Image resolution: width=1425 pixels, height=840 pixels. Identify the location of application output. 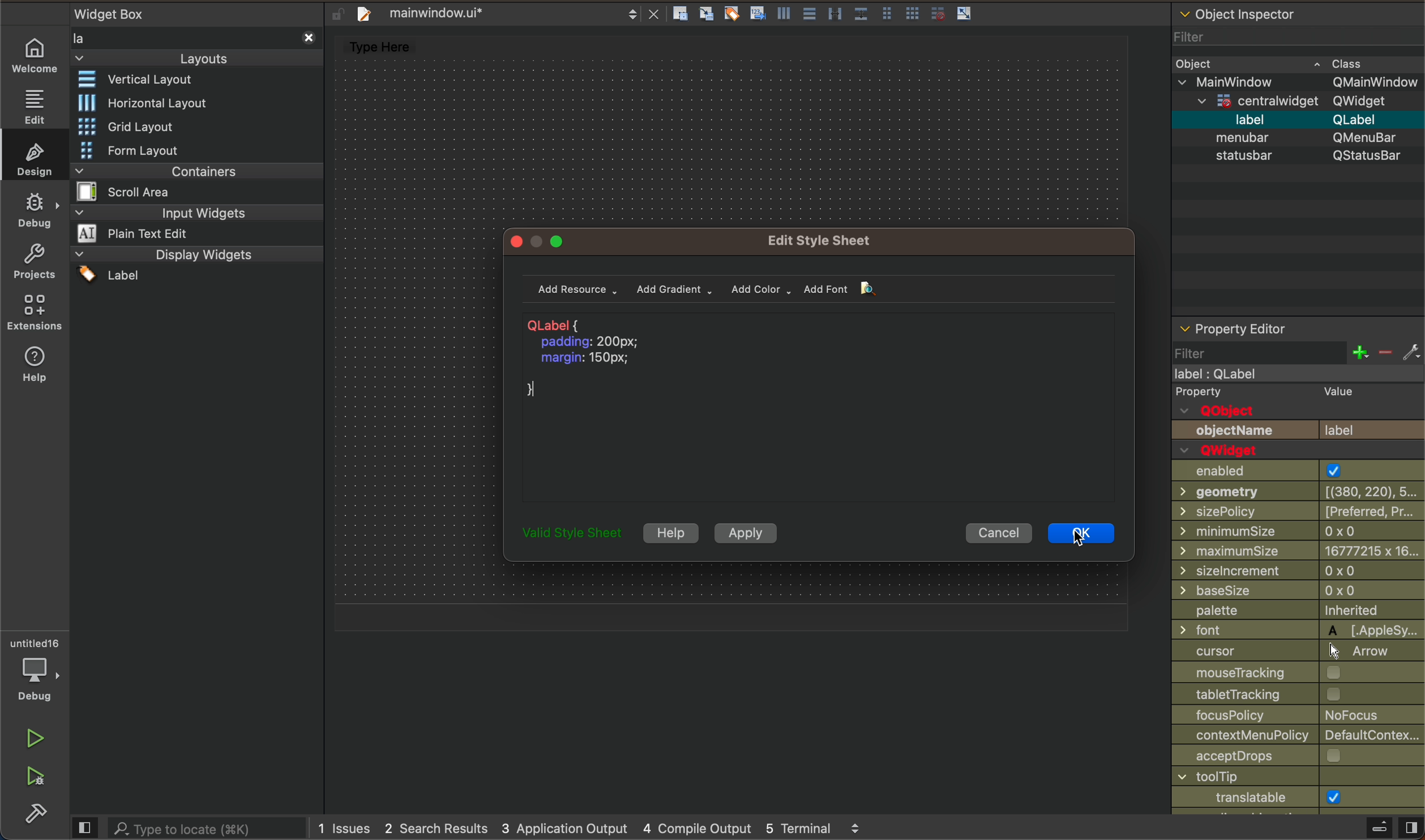
(563, 829).